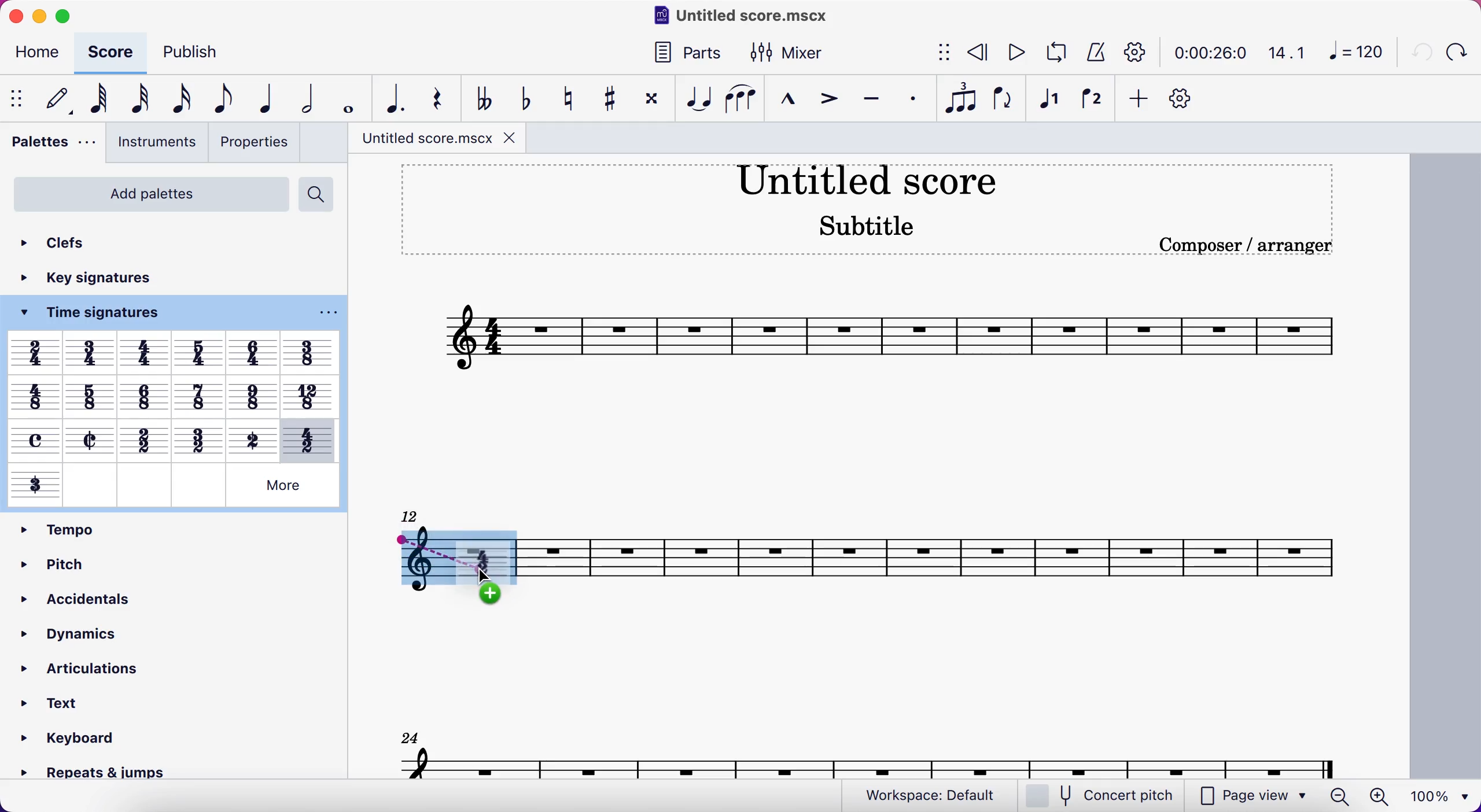 The height and width of the screenshot is (812, 1481). What do you see at coordinates (1281, 53) in the screenshot?
I see `14.1` at bounding box center [1281, 53].